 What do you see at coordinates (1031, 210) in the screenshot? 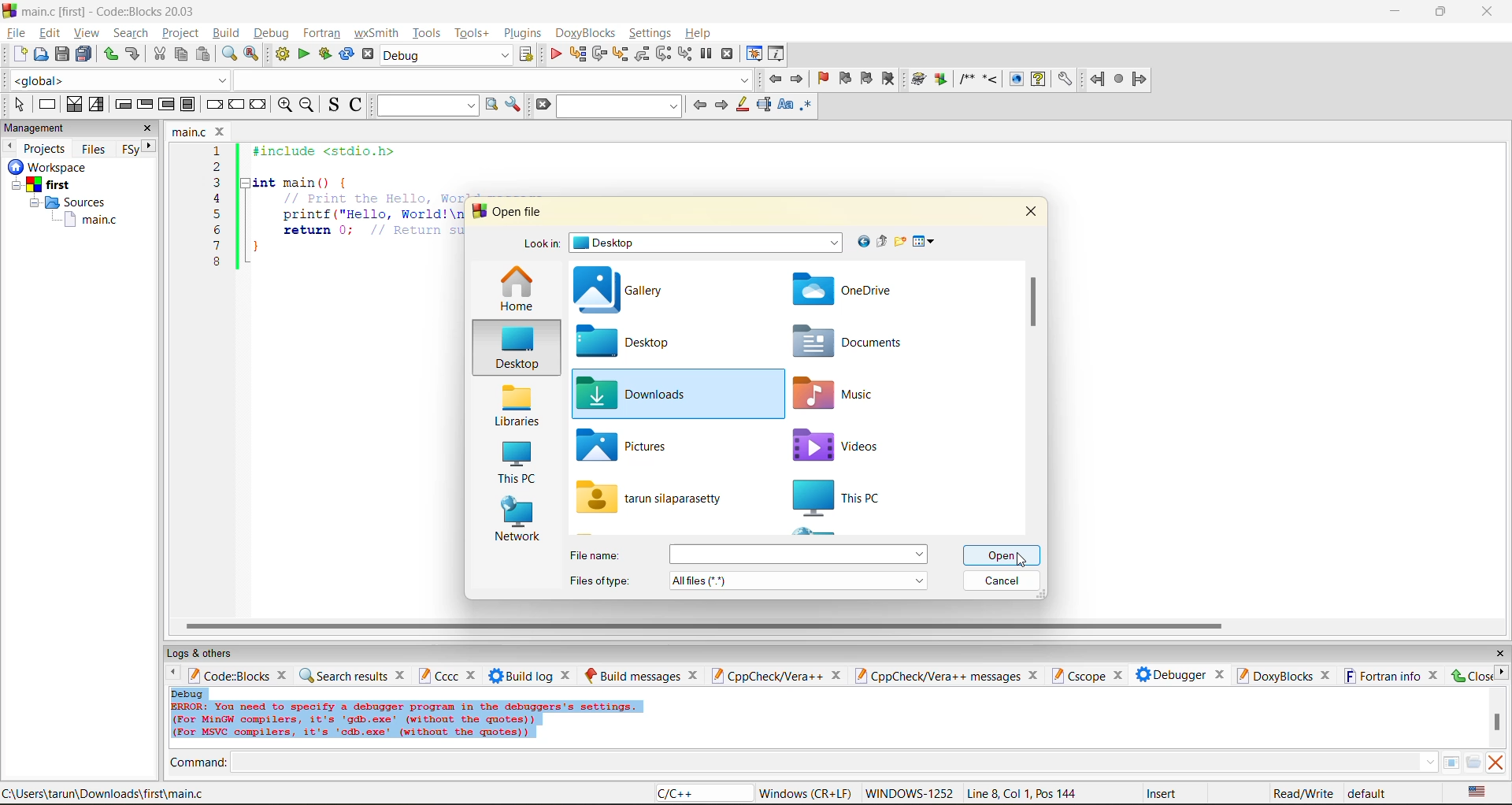
I see `close` at bounding box center [1031, 210].